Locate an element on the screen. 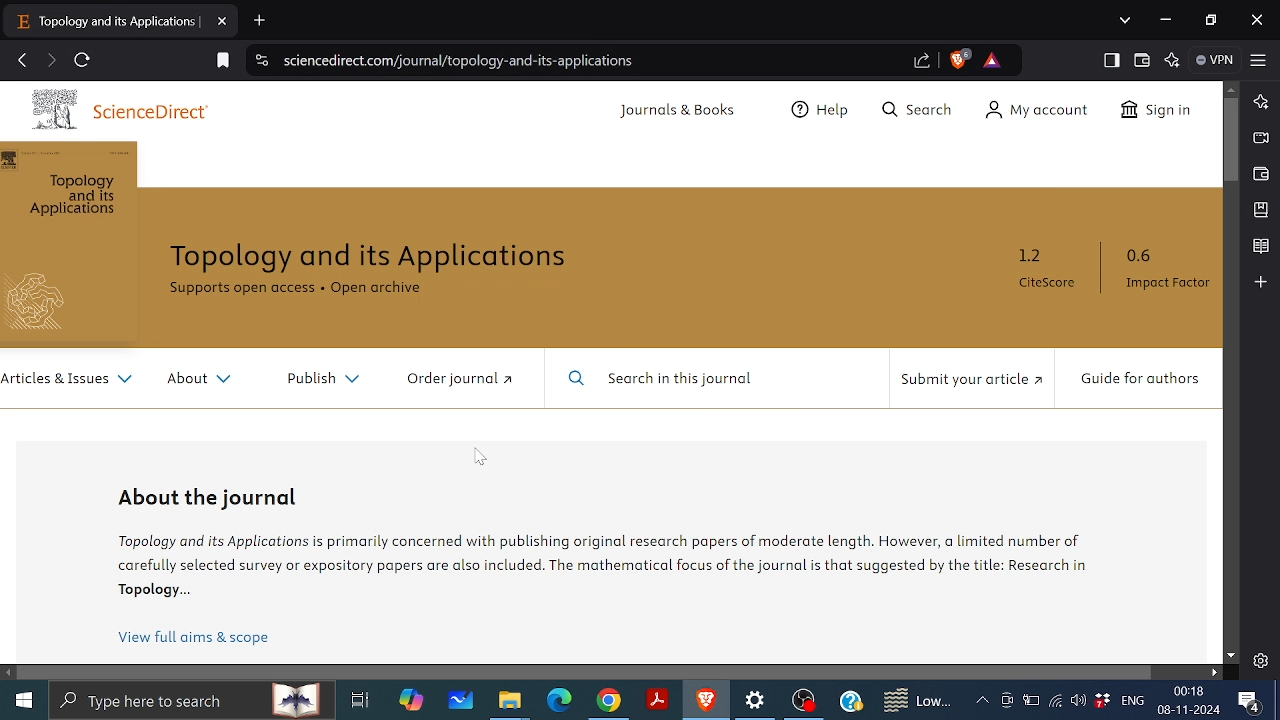 Image resolution: width=1280 pixels, height=720 pixels. Google Chrome is located at coordinates (608, 701).